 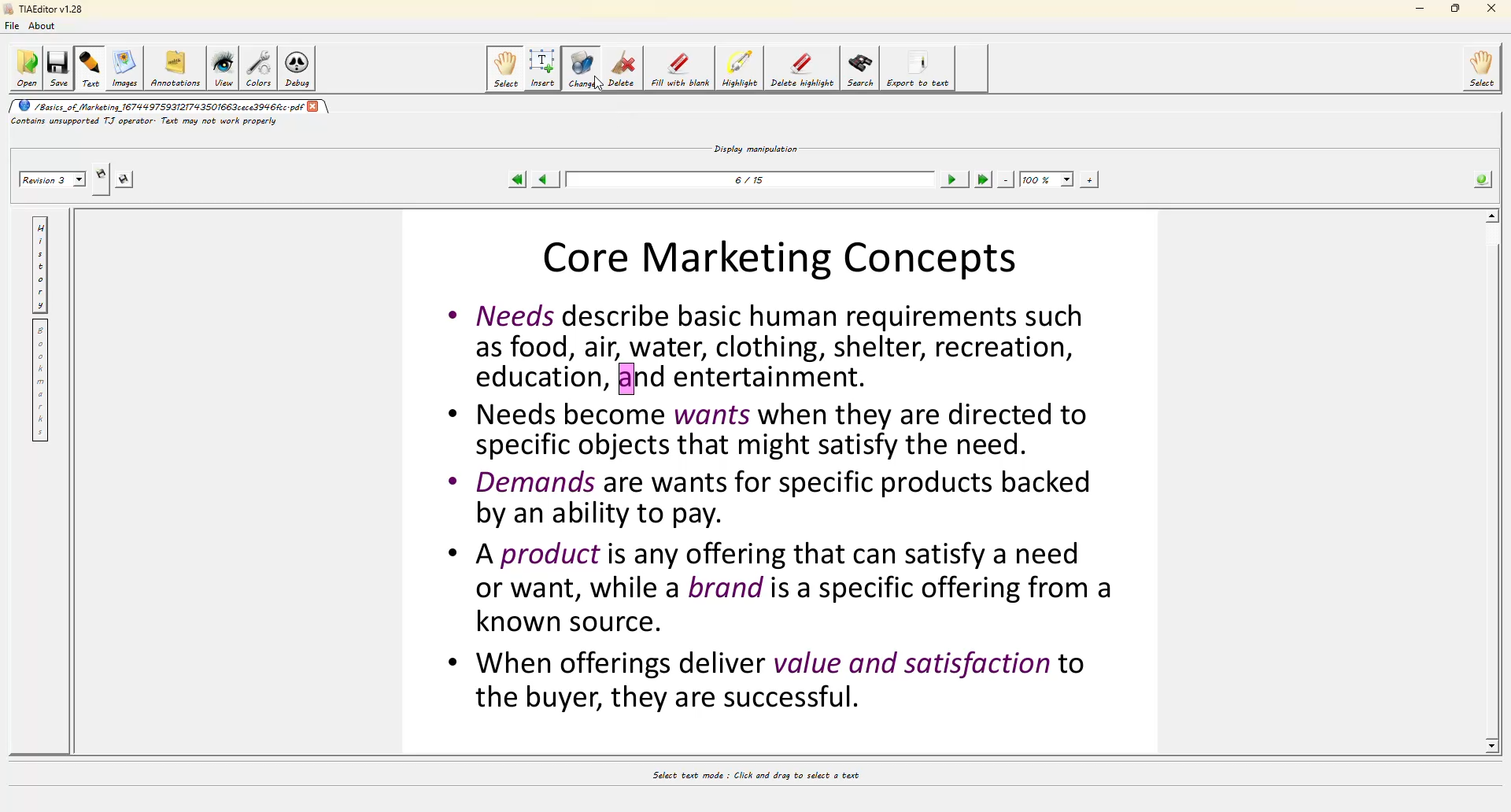 I want to click on colors, so click(x=257, y=68).